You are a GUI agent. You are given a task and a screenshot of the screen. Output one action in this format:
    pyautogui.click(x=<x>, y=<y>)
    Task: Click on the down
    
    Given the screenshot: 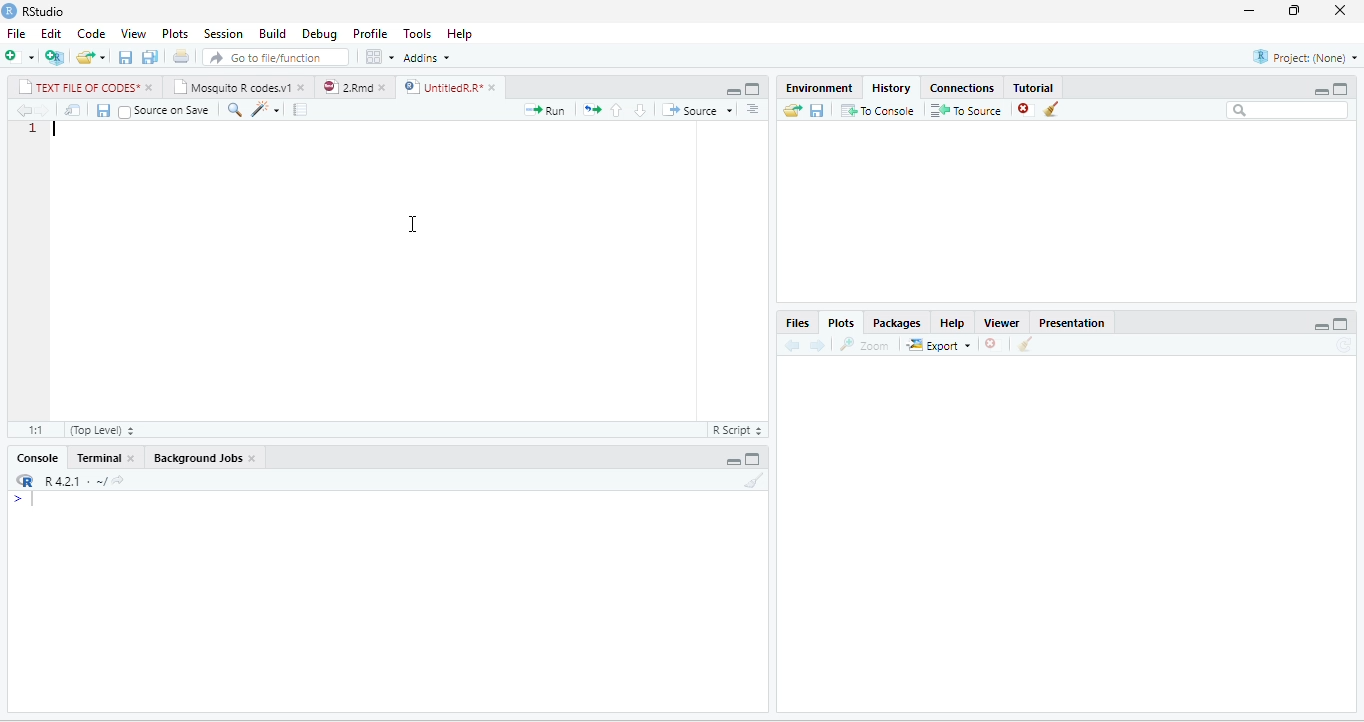 What is the action you would take?
    pyautogui.click(x=640, y=110)
    